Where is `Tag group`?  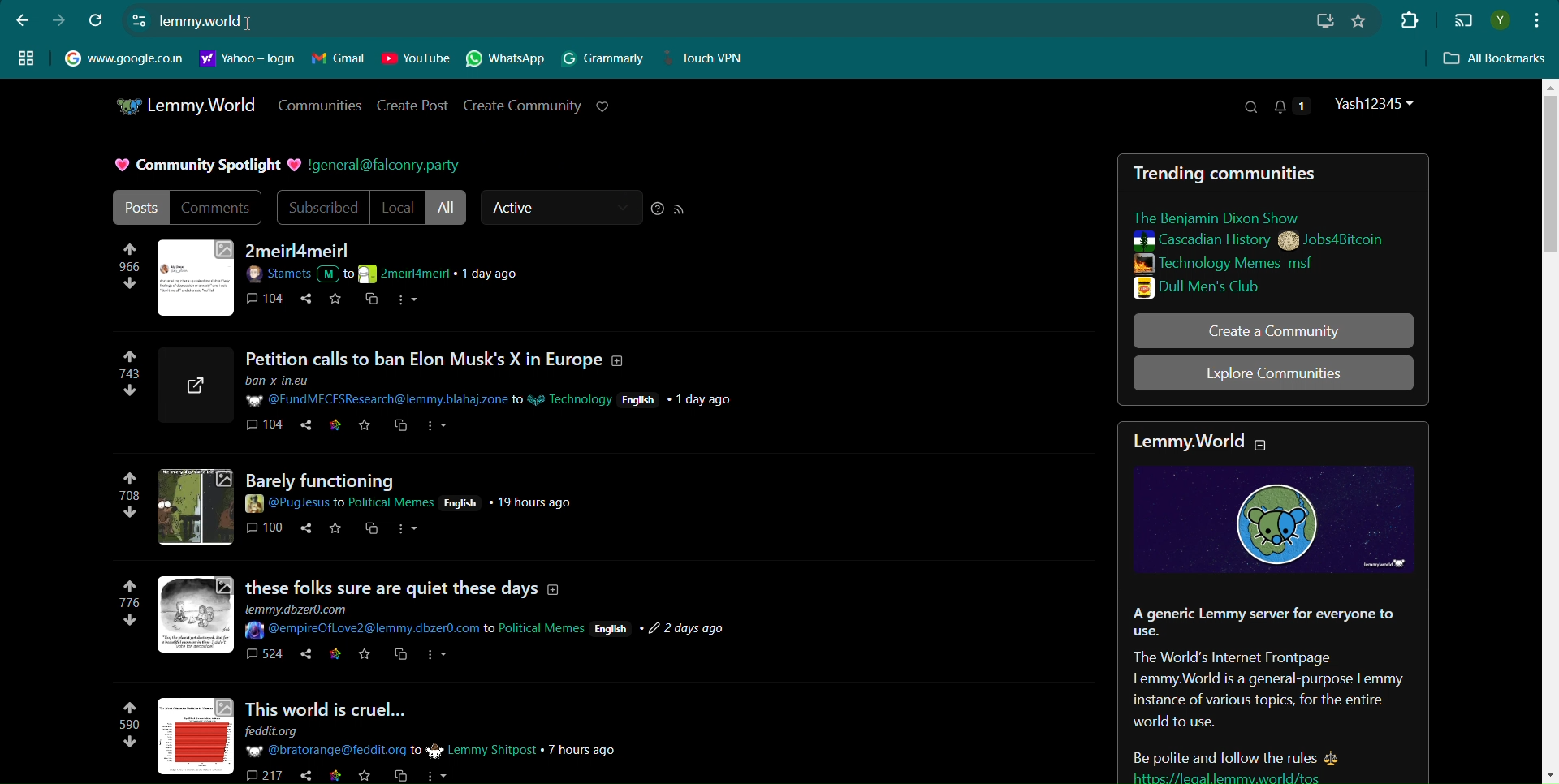
Tag group is located at coordinates (26, 57).